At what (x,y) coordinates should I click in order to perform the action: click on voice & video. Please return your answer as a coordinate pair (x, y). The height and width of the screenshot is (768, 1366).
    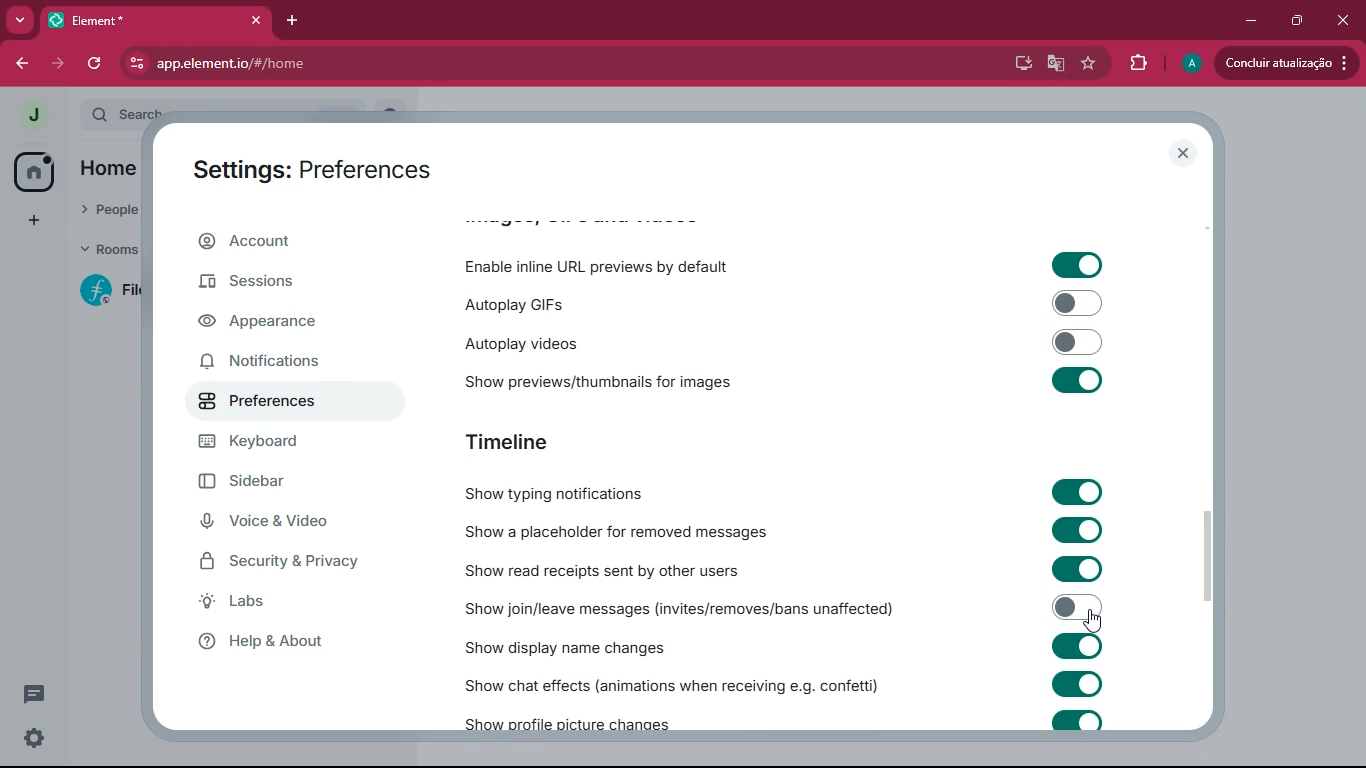
    Looking at the image, I should click on (270, 524).